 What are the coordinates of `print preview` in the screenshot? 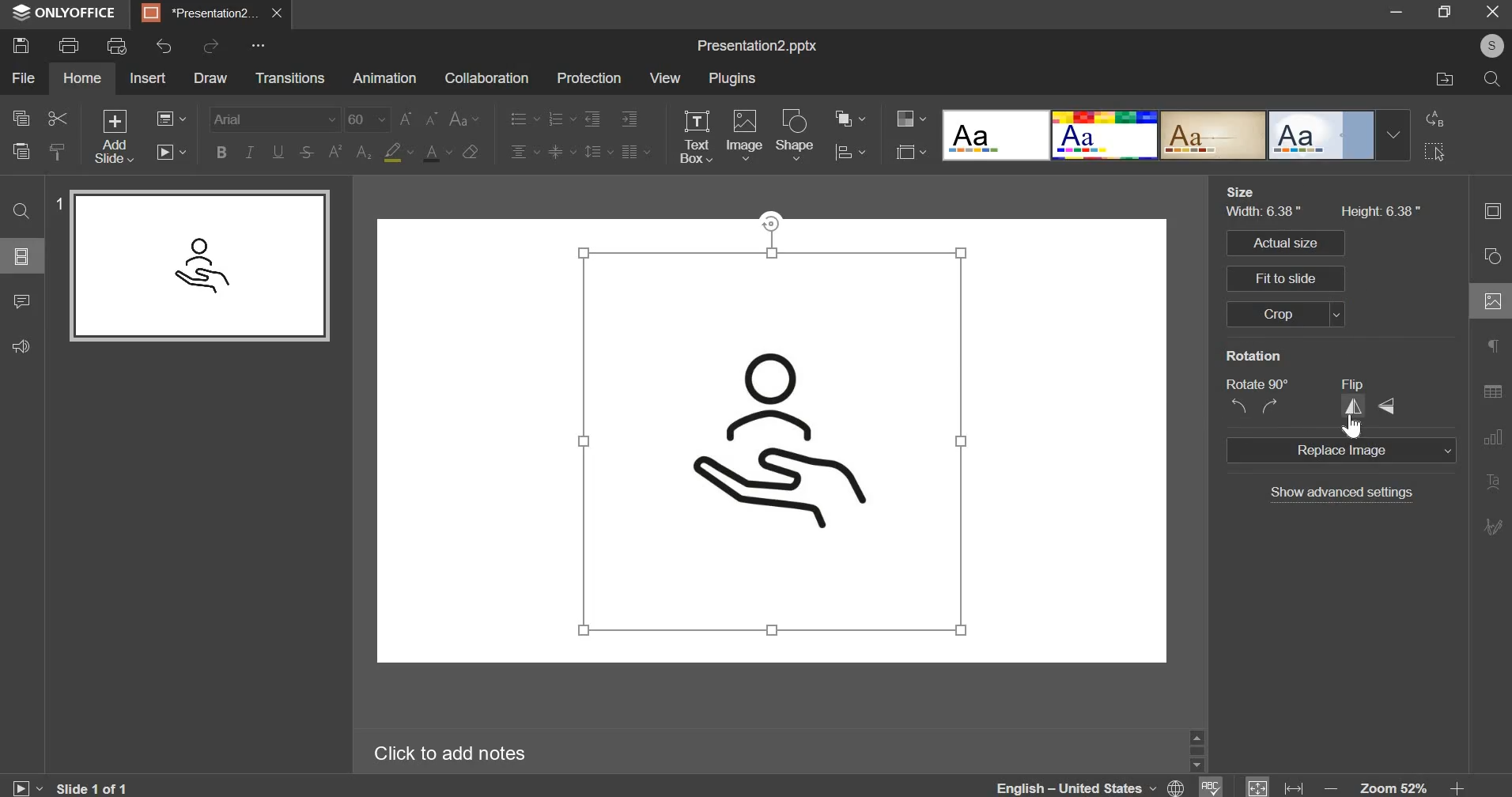 It's located at (117, 47).